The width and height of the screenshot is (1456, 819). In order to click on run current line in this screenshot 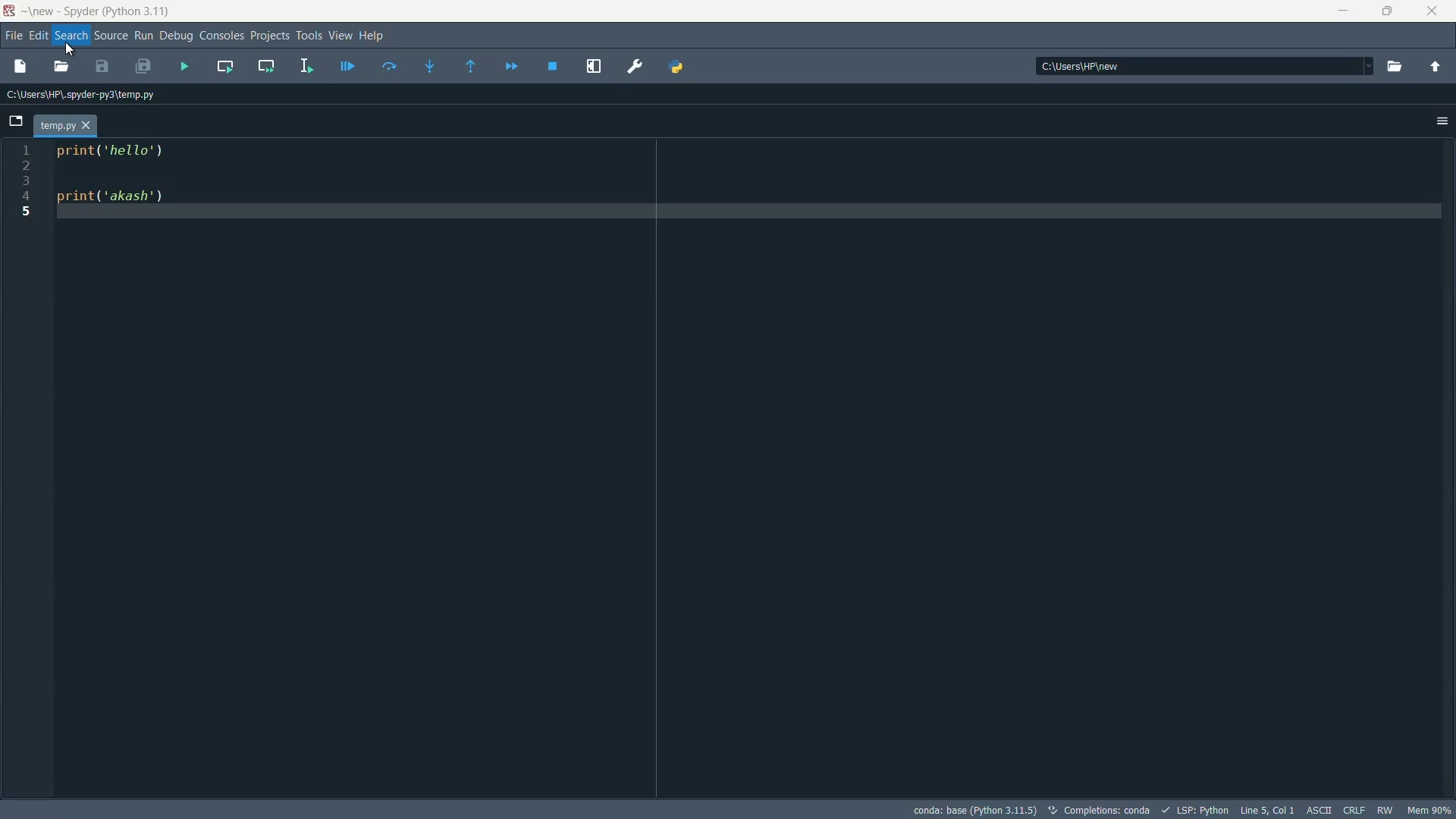, I will do `click(391, 67)`.